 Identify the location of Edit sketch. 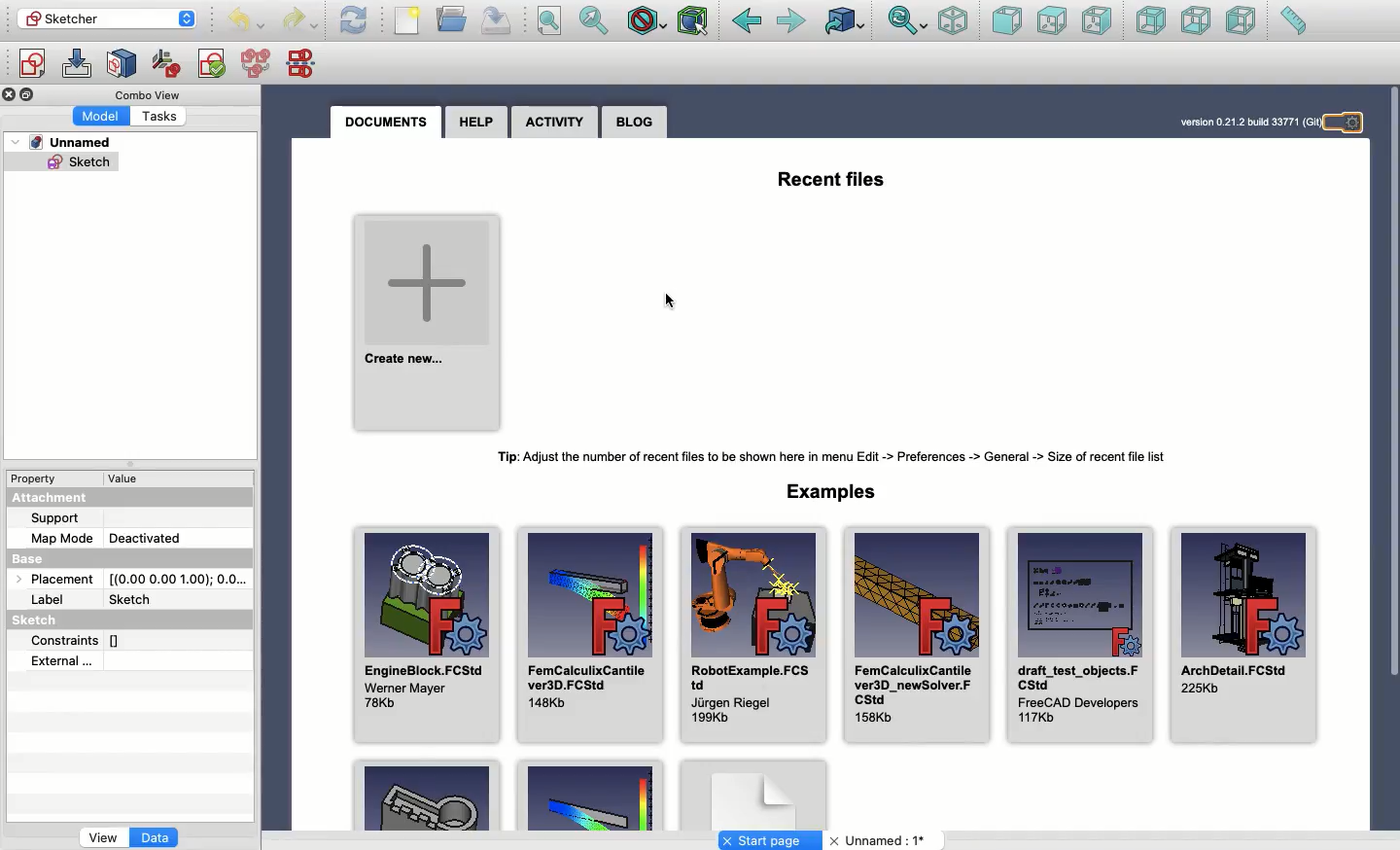
(79, 65).